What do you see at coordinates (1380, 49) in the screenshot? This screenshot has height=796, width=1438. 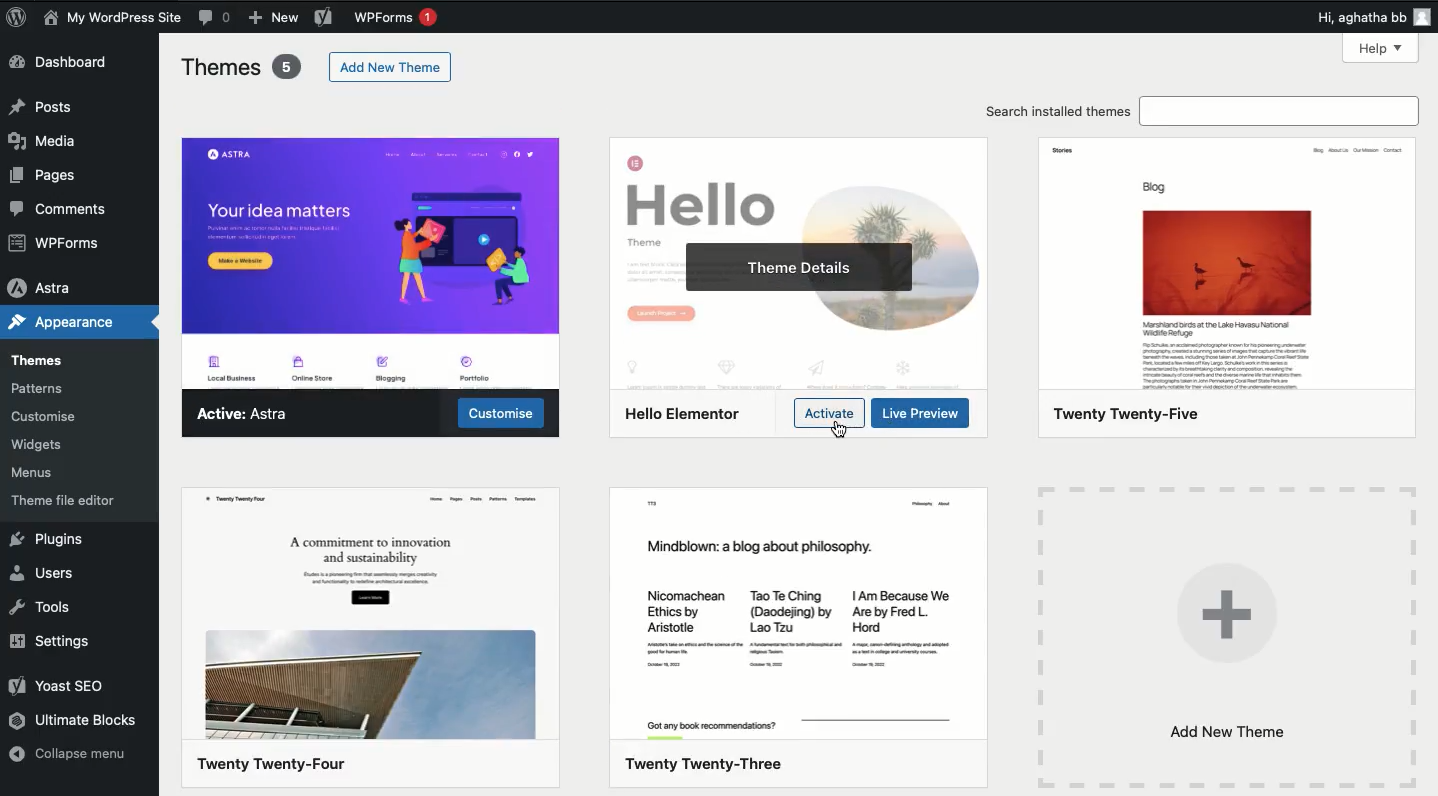 I see `Help` at bounding box center [1380, 49].